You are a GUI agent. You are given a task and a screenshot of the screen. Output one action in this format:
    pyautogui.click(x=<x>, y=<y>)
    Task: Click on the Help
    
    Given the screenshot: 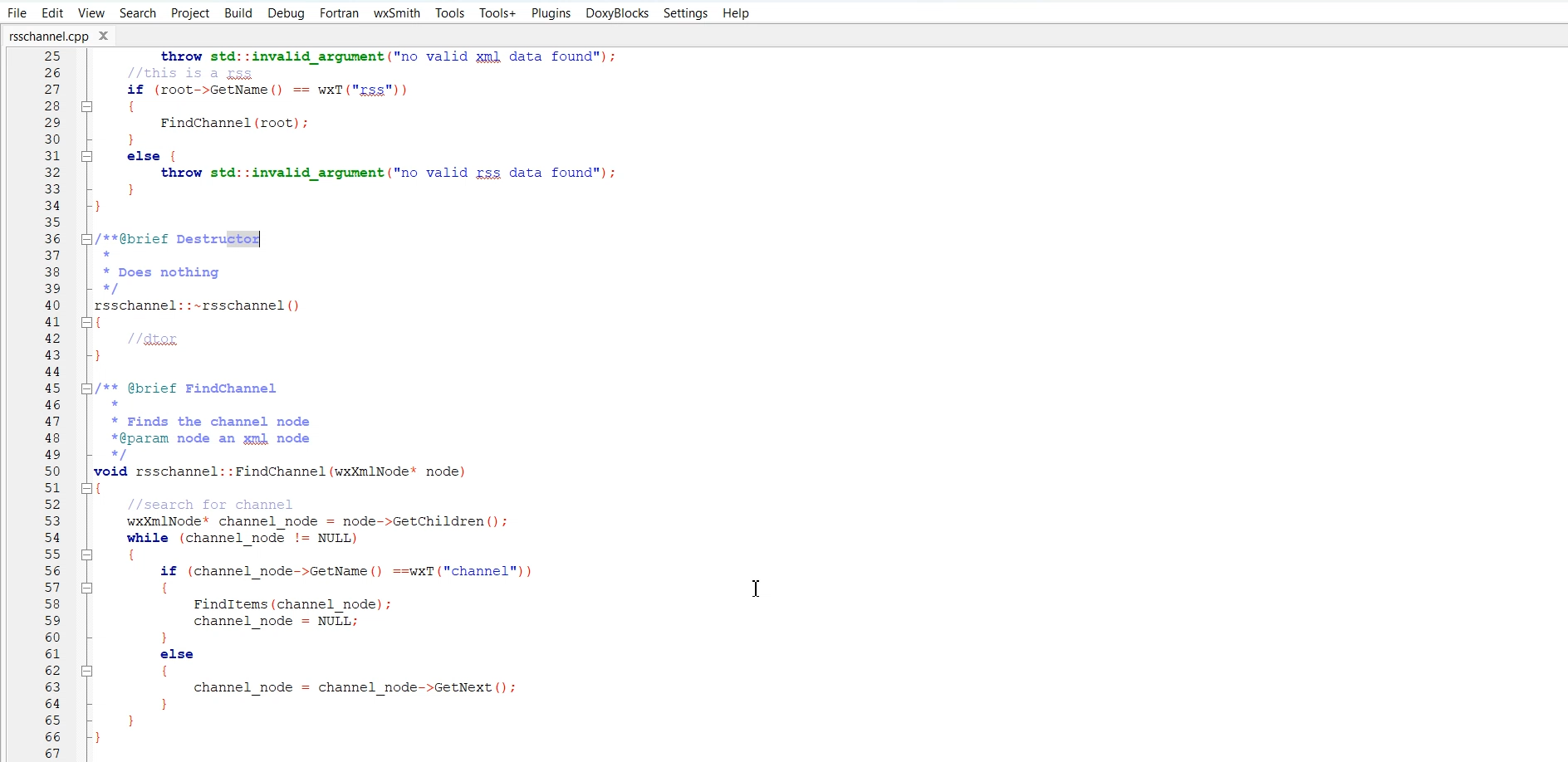 What is the action you would take?
    pyautogui.click(x=737, y=13)
    